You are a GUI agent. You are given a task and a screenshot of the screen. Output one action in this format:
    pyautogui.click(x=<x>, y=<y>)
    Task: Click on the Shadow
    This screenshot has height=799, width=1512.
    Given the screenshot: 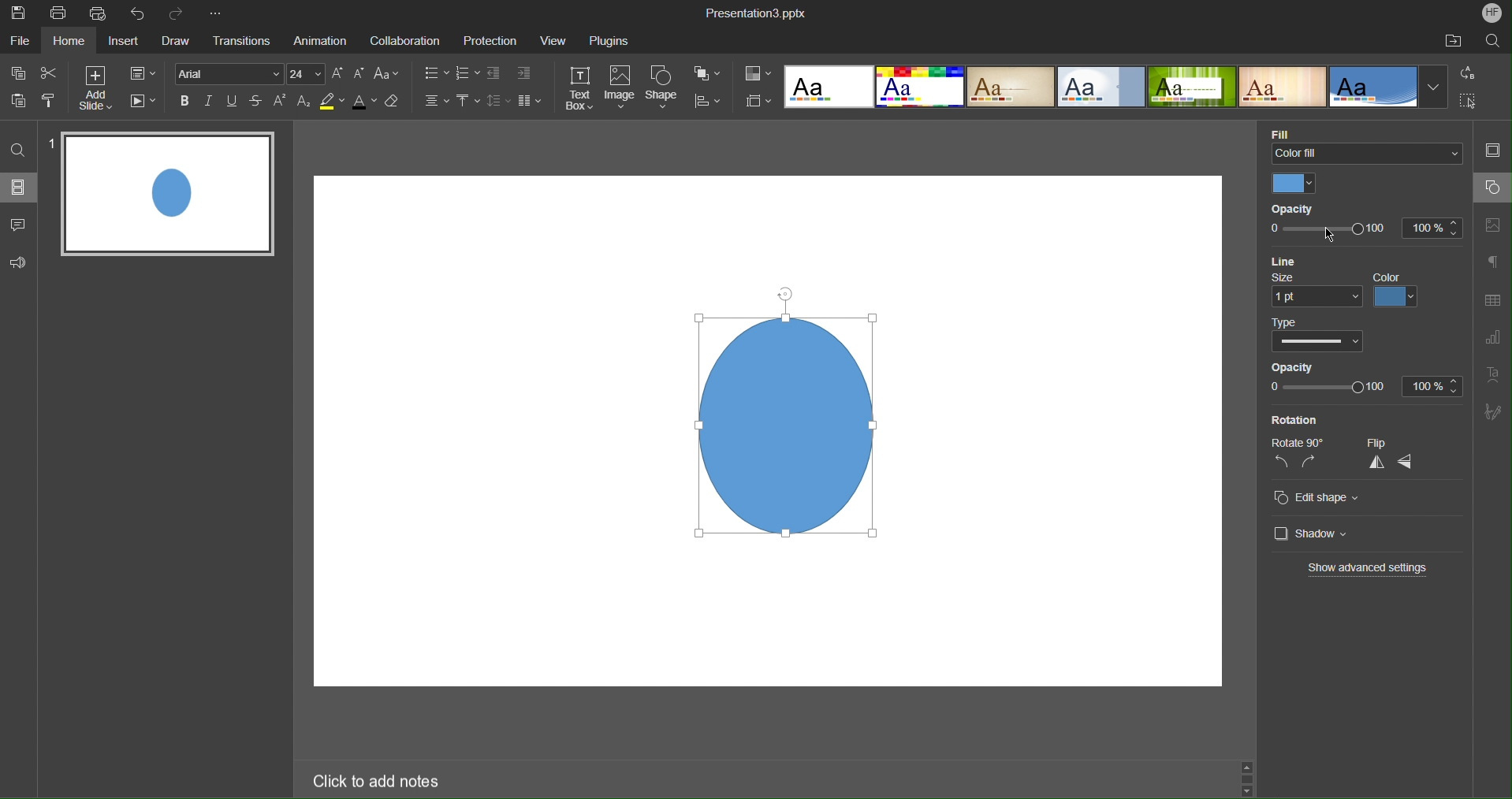 What is the action you would take?
    pyautogui.click(x=1312, y=532)
    